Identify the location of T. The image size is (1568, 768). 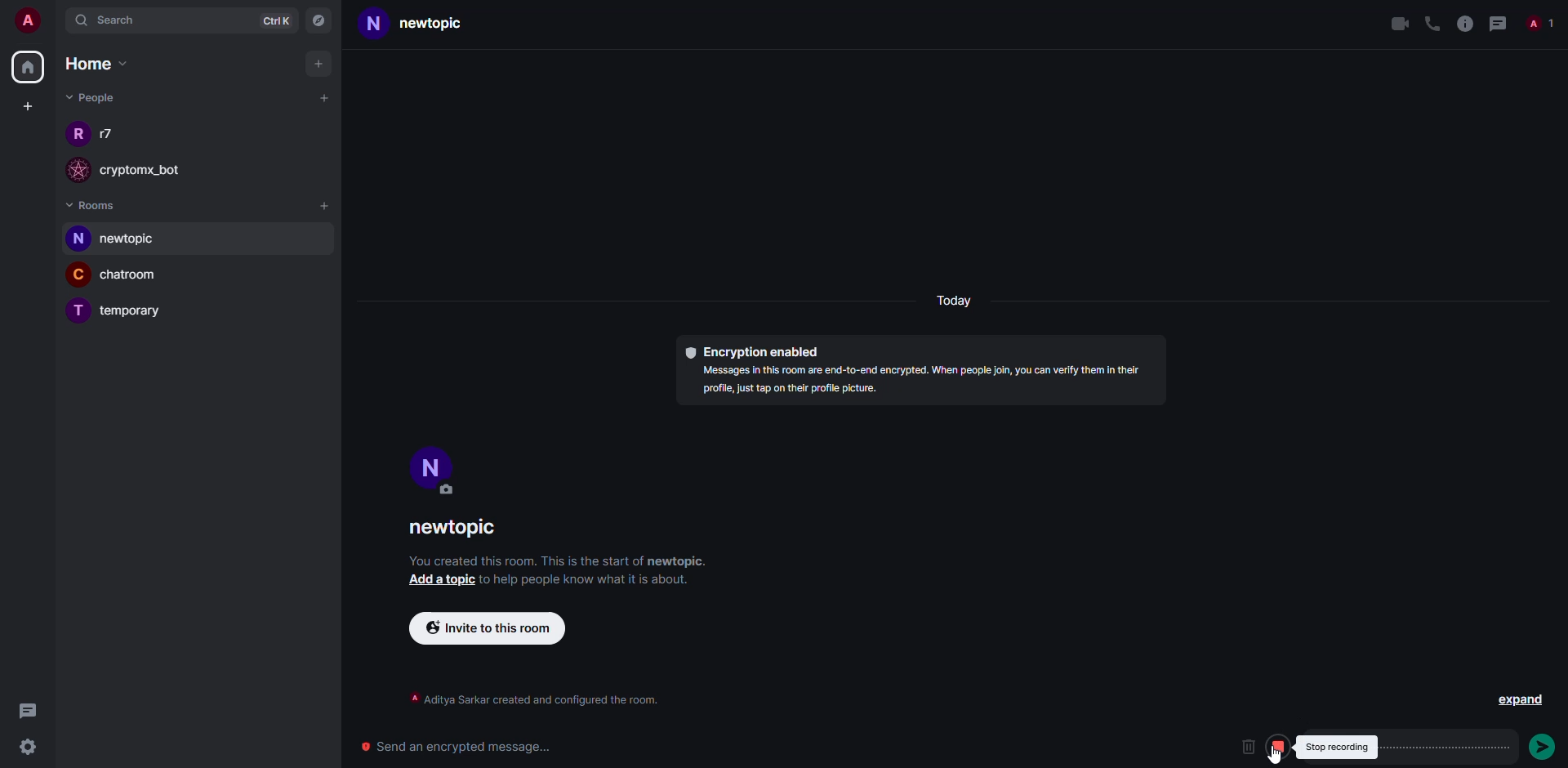
(76, 310).